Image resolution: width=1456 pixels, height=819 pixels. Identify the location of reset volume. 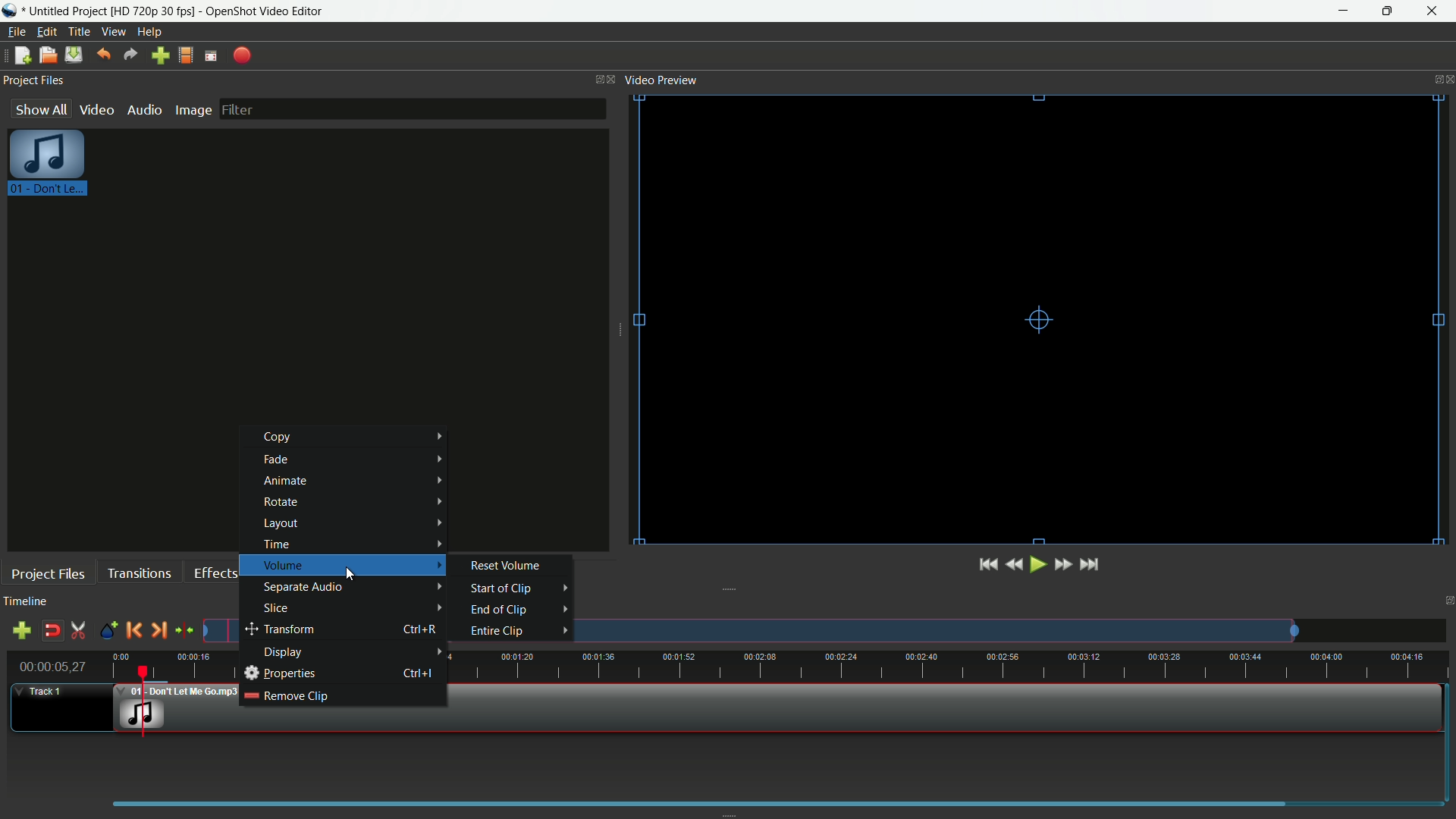
(507, 565).